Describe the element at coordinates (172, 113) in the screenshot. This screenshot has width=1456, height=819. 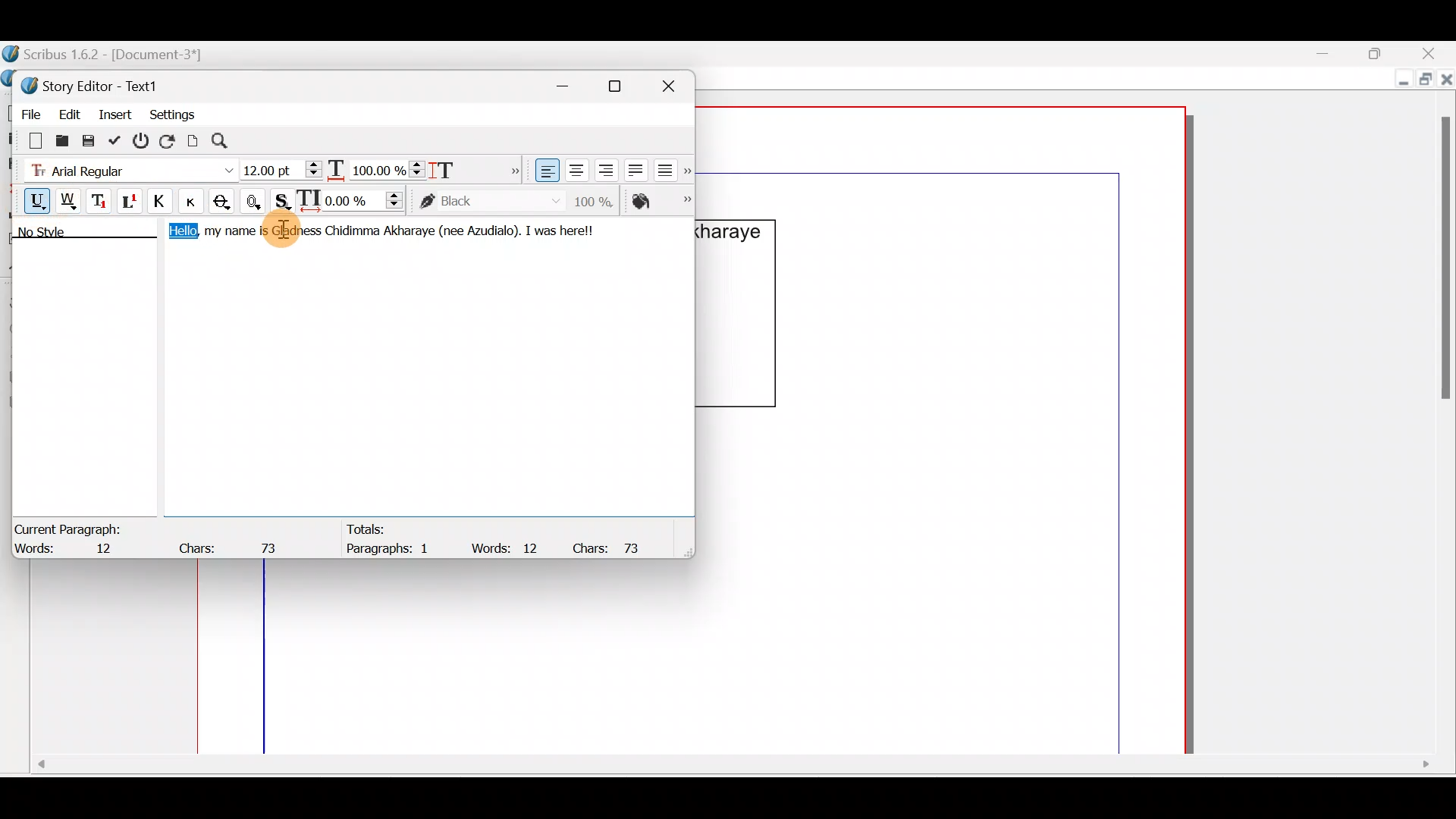
I see `Settings` at that location.